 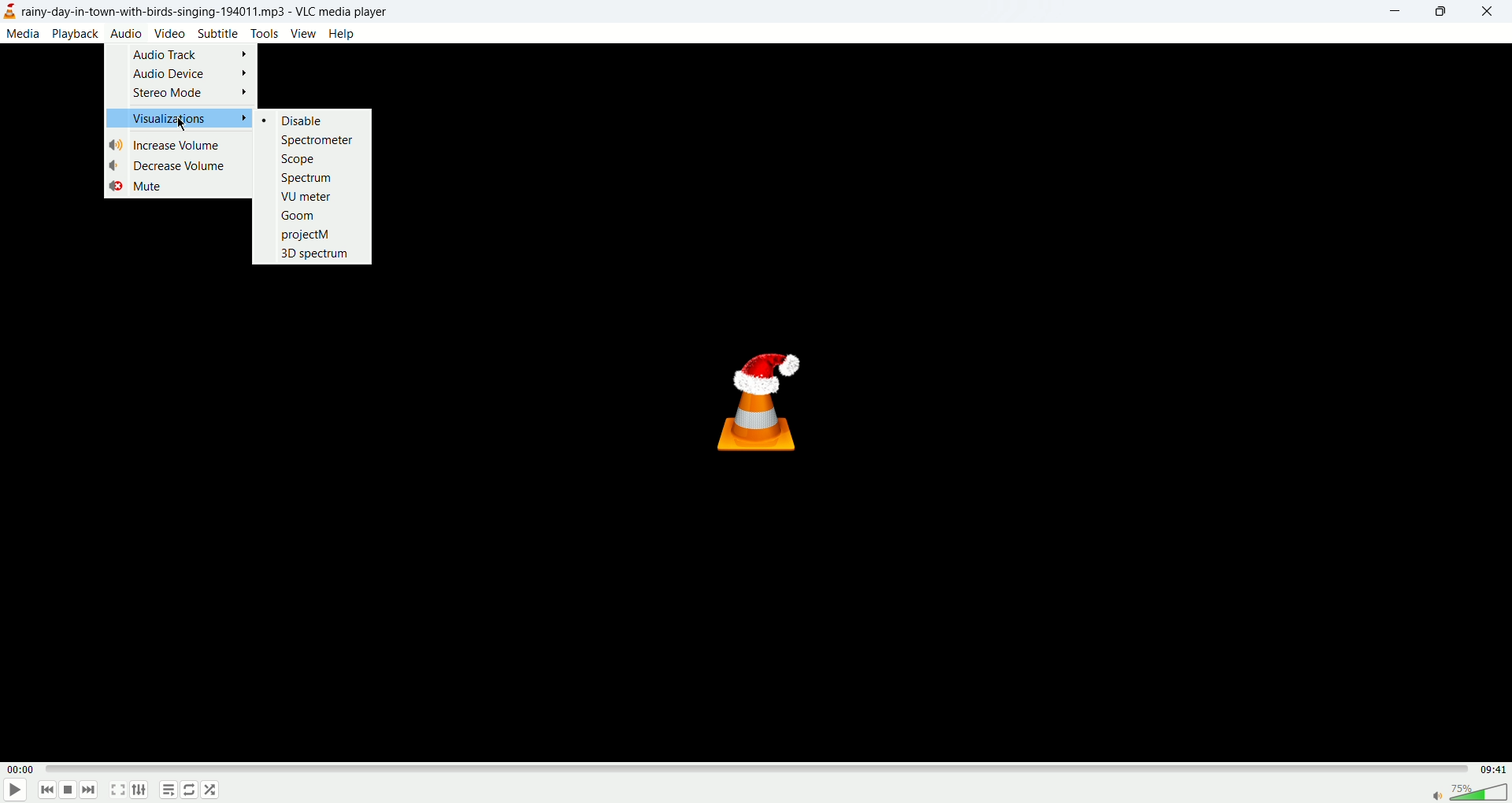 I want to click on 3D spectrum, so click(x=309, y=255).